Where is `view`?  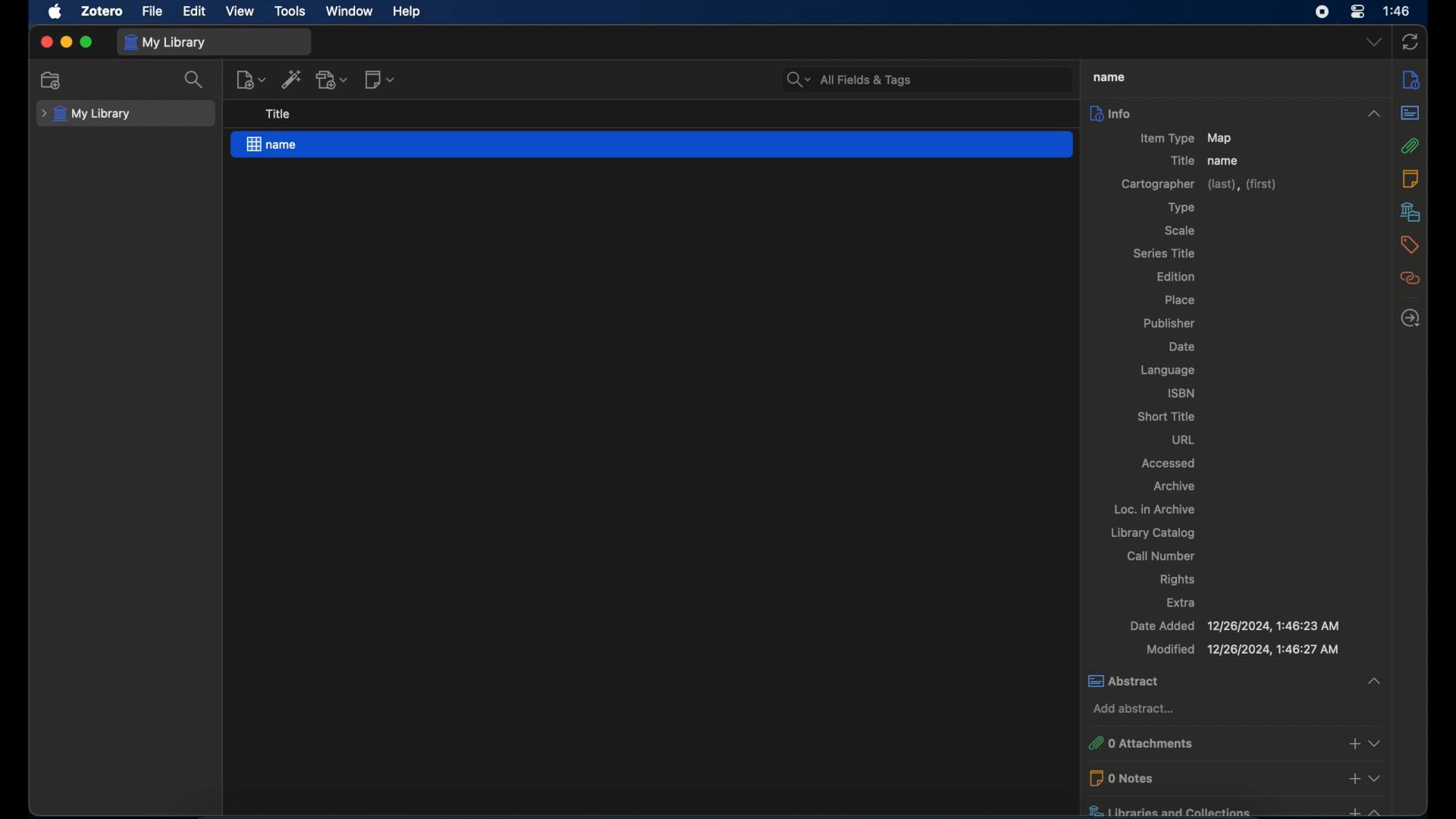 view is located at coordinates (241, 11).